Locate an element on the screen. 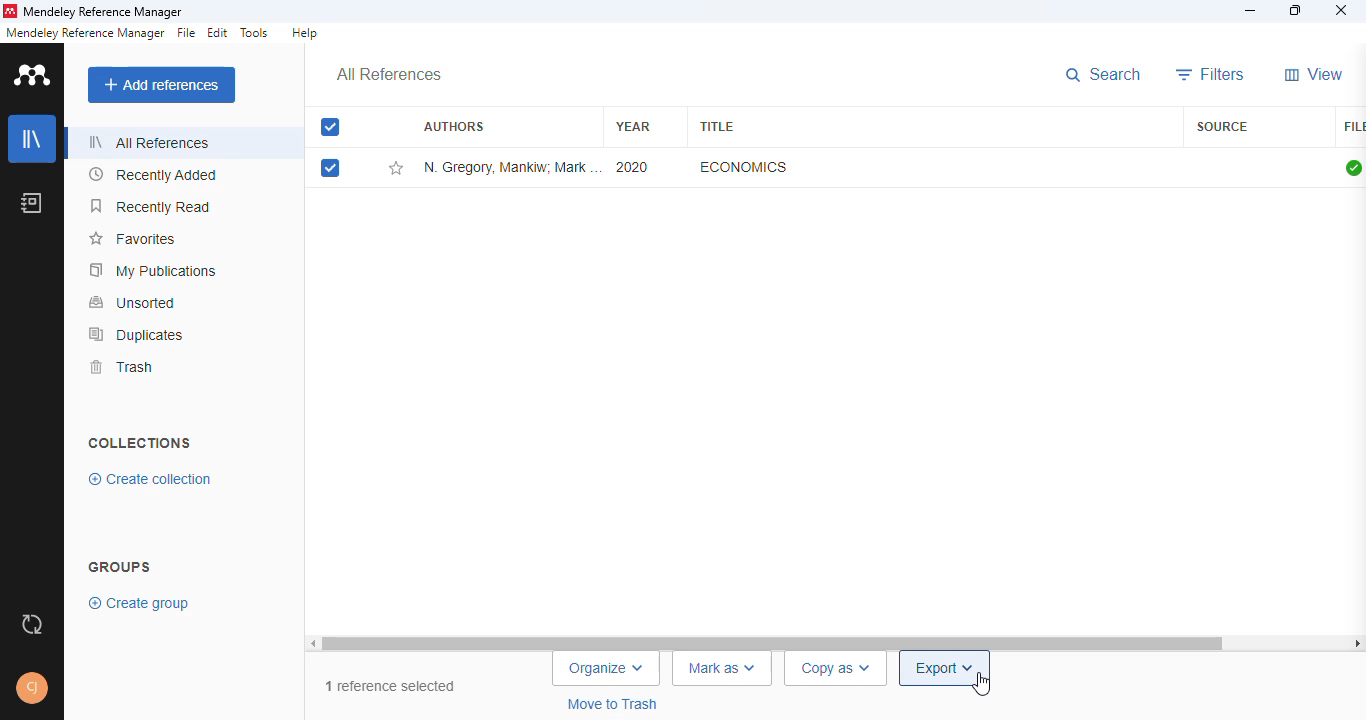  profile is located at coordinates (32, 688).